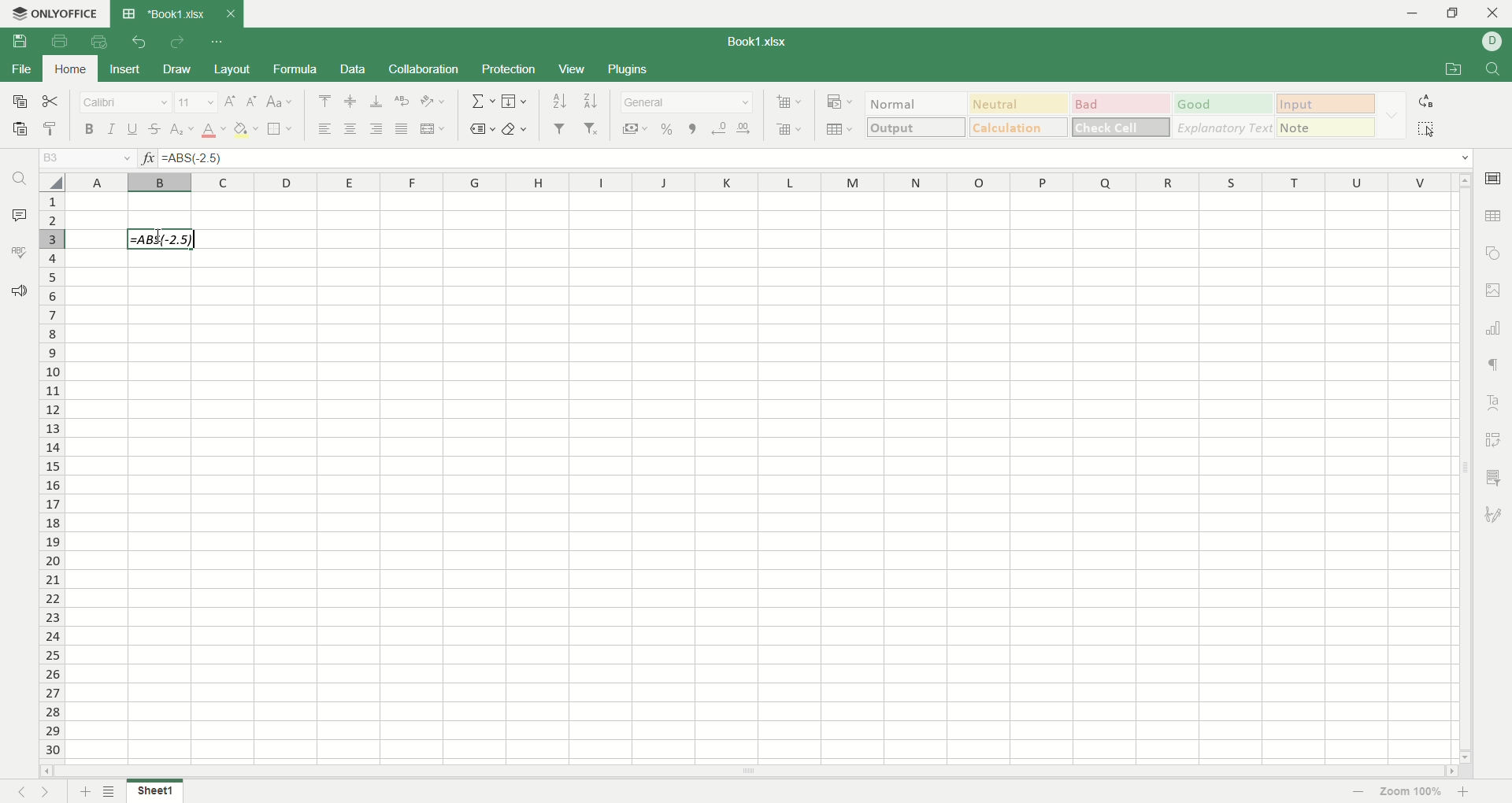  What do you see at coordinates (349, 128) in the screenshot?
I see `align center` at bounding box center [349, 128].